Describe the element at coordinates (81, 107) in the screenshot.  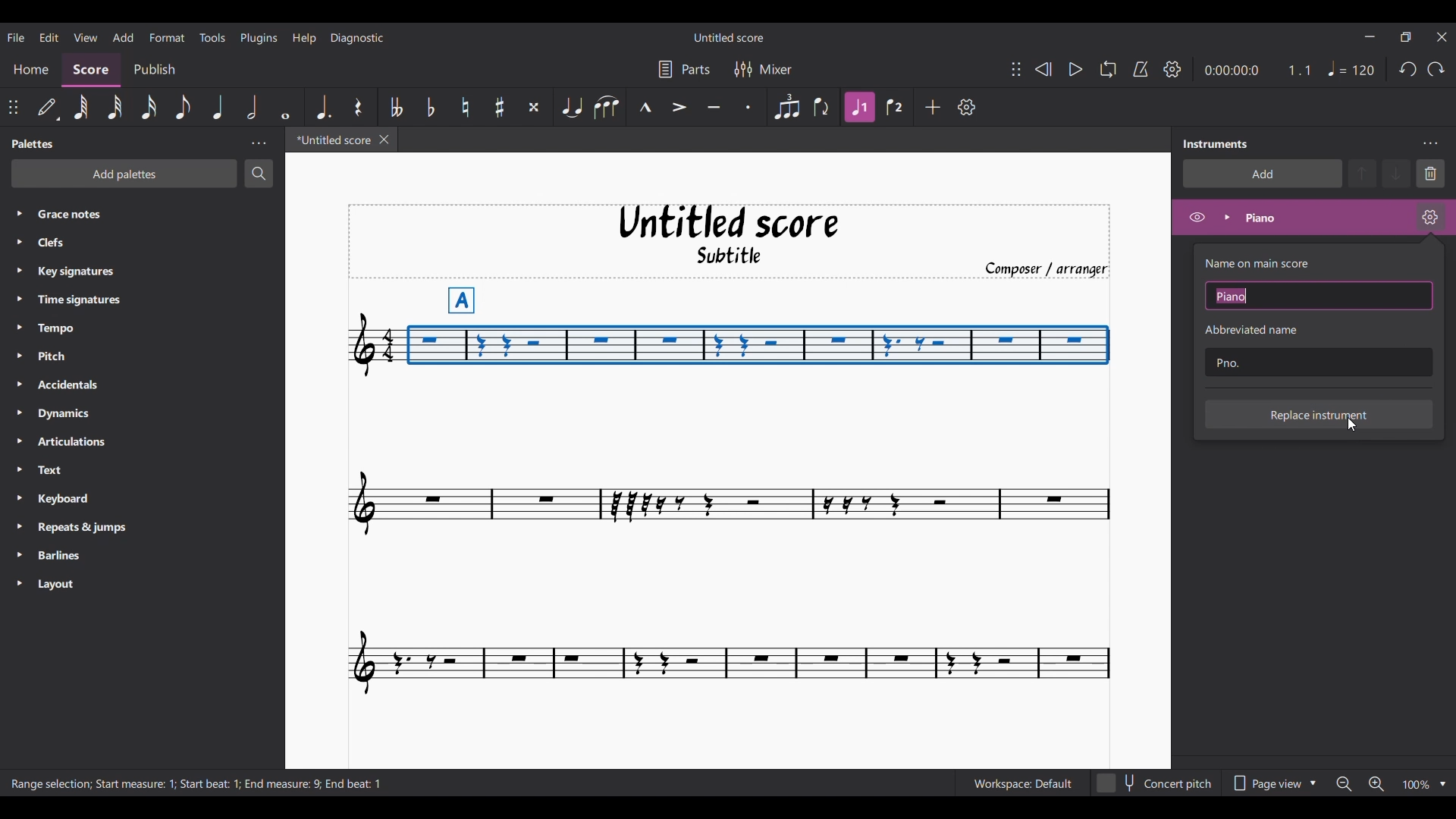
I see `64th note` at that location.